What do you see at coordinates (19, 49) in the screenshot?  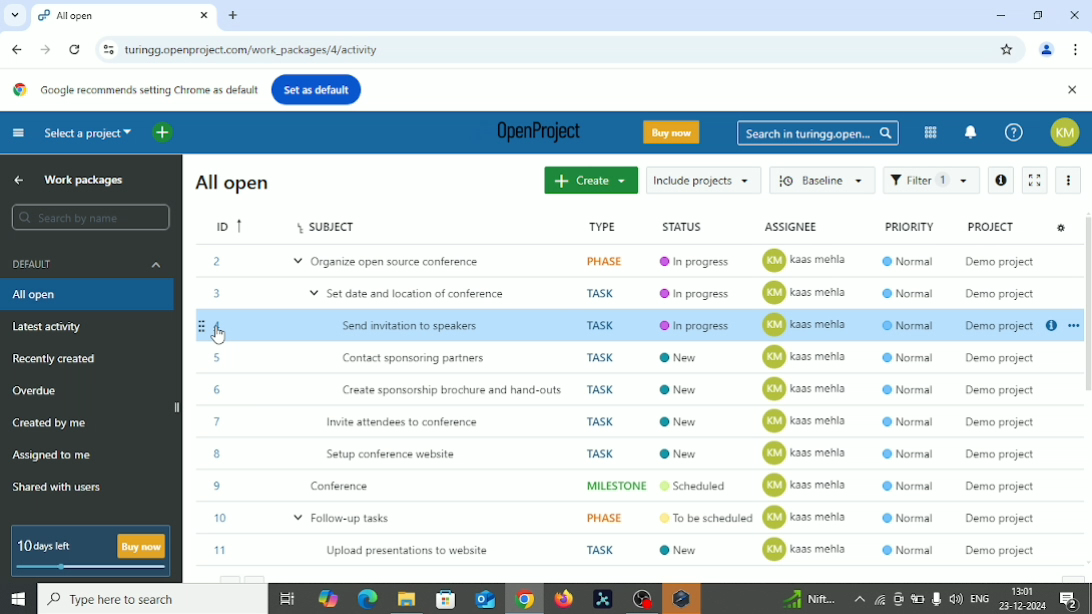 I see `Back` at bounding box center [19, 49].